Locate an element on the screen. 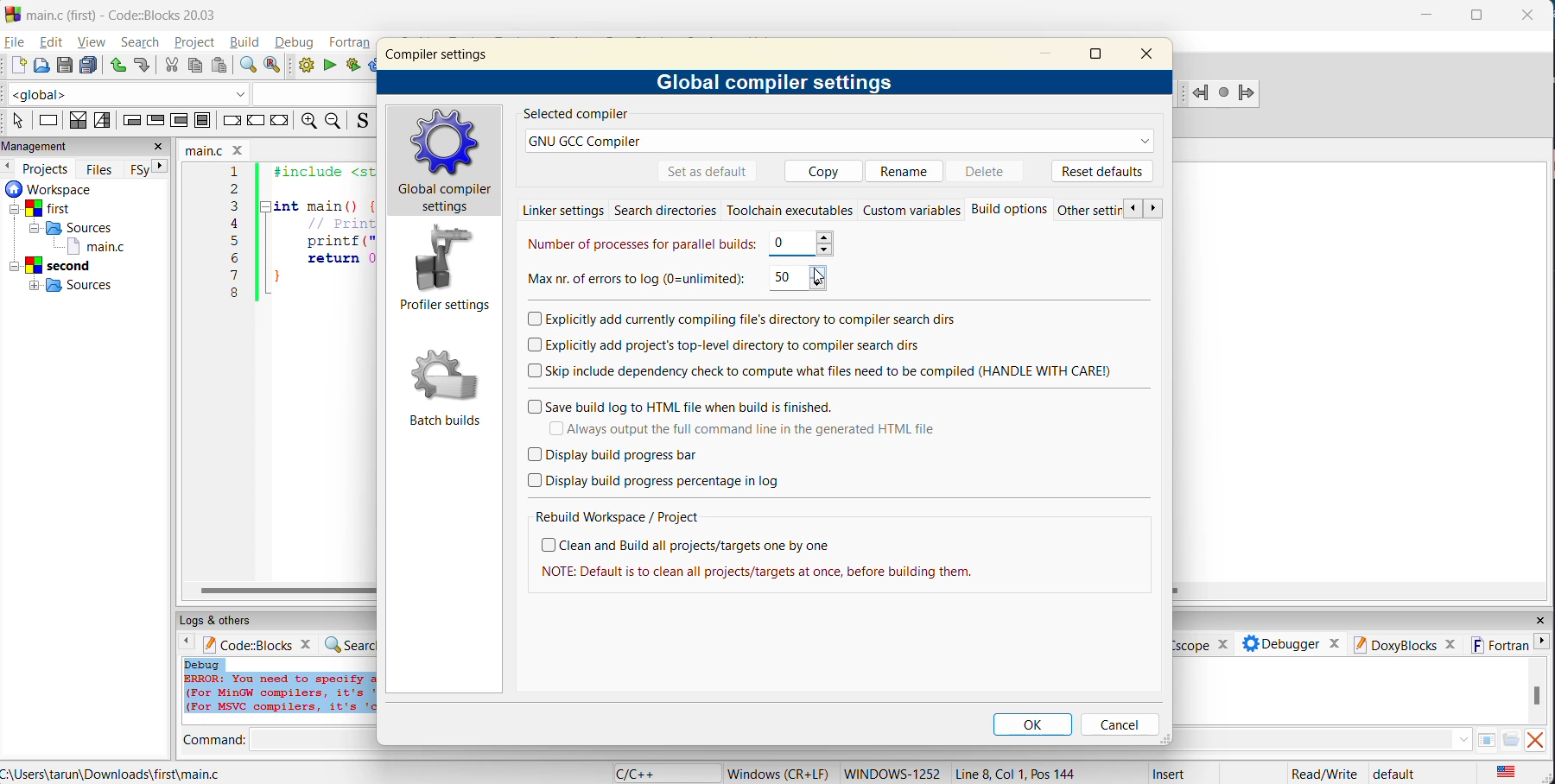  global compiler settings is located at coordinates (448, 164).